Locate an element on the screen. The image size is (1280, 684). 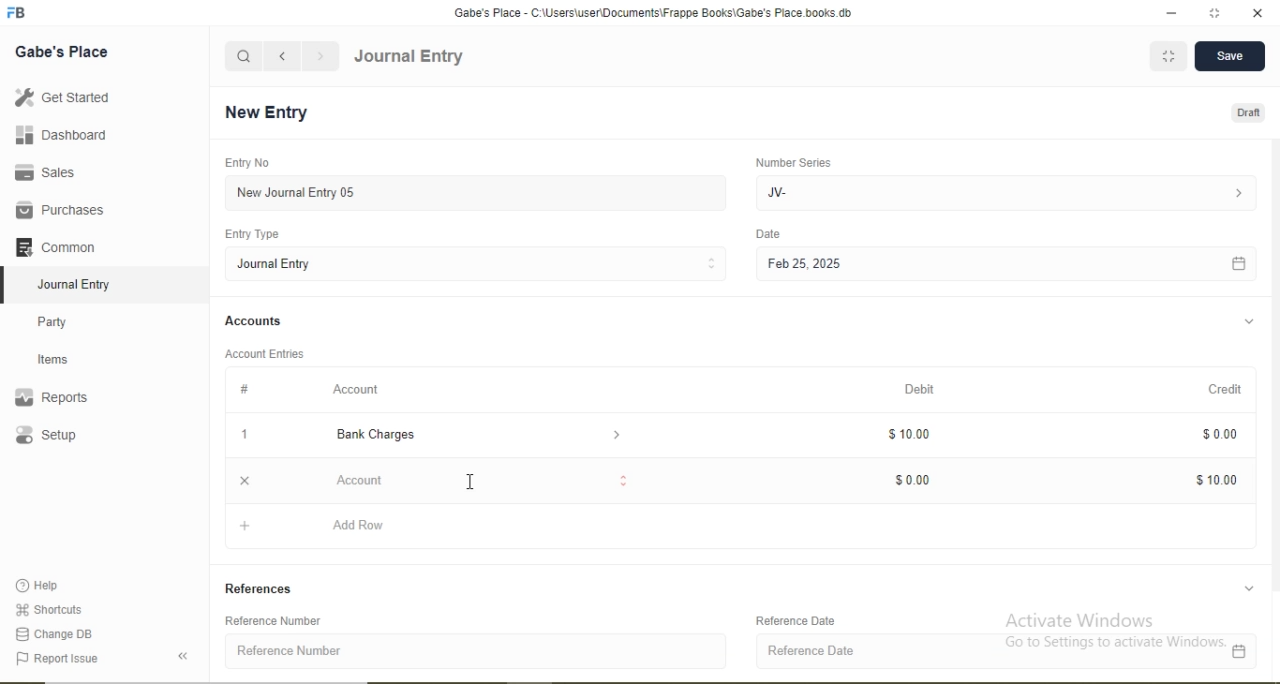
Dashboard is located at coordinates (55, 136).